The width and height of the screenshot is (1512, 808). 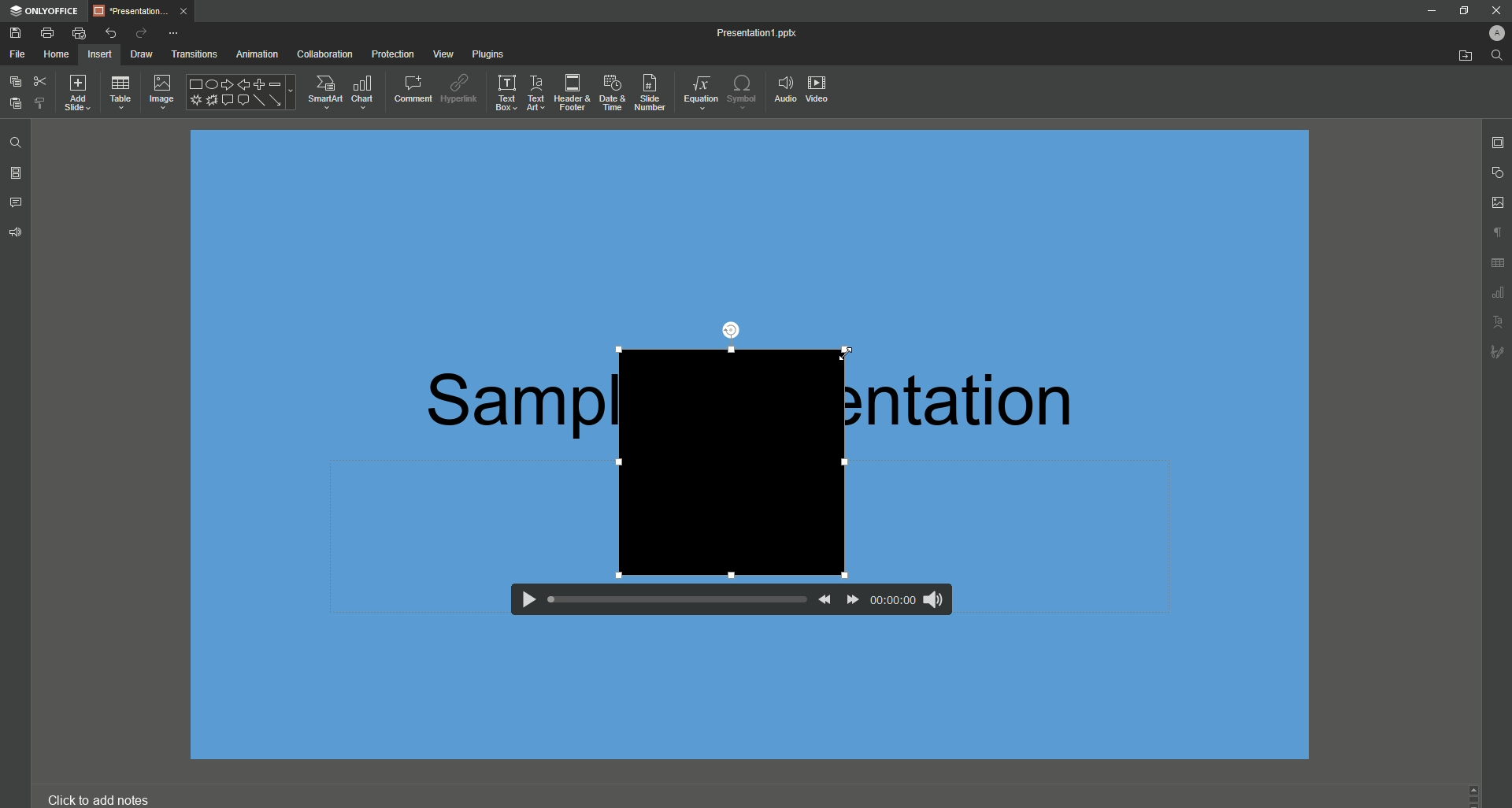 I want to click on Hyperlink, so click(x=458, y=88).